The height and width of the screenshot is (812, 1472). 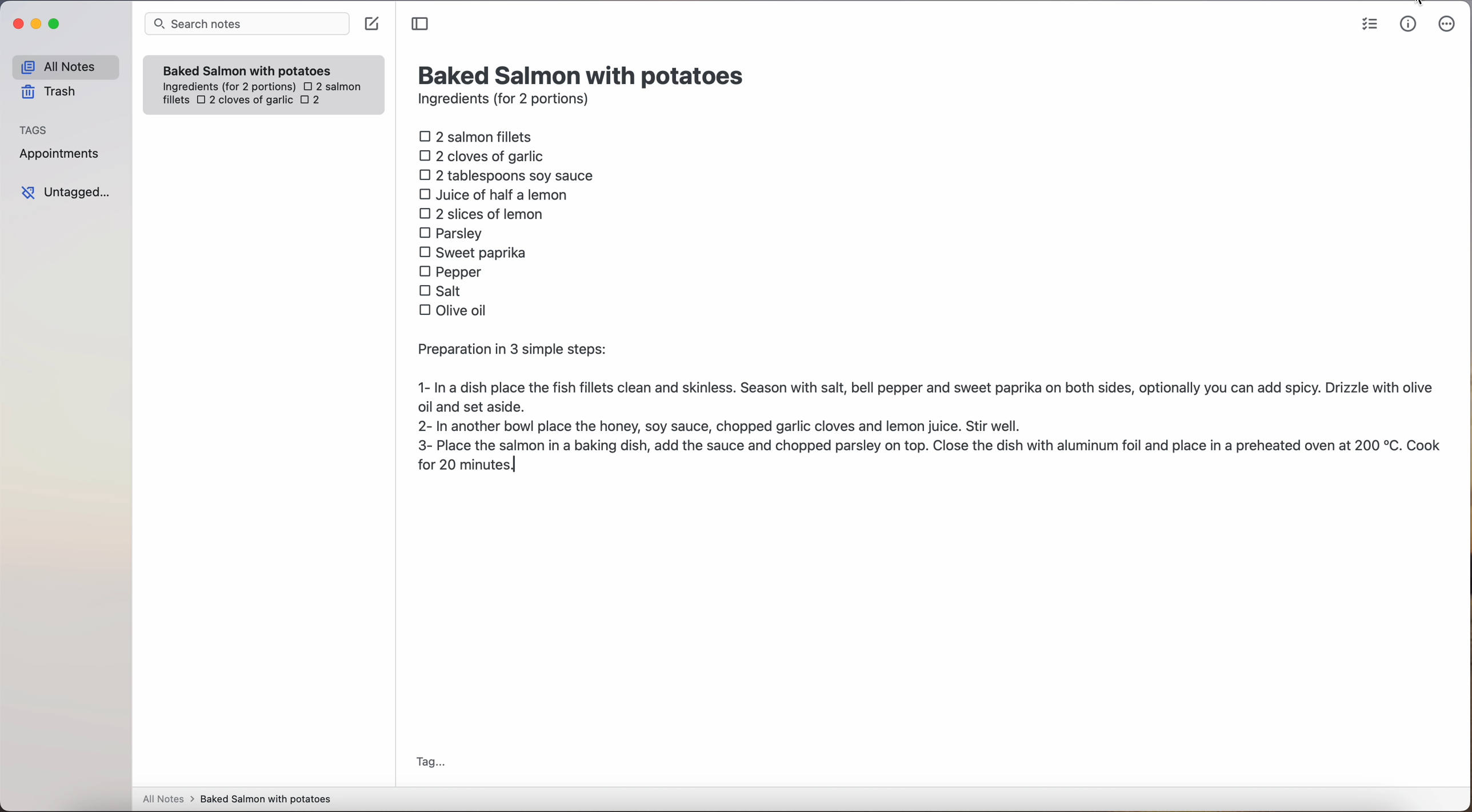 What do you see at coordinates (67, 192) in the screenshot?
I see `untagged` at bounding box center [67, 192].